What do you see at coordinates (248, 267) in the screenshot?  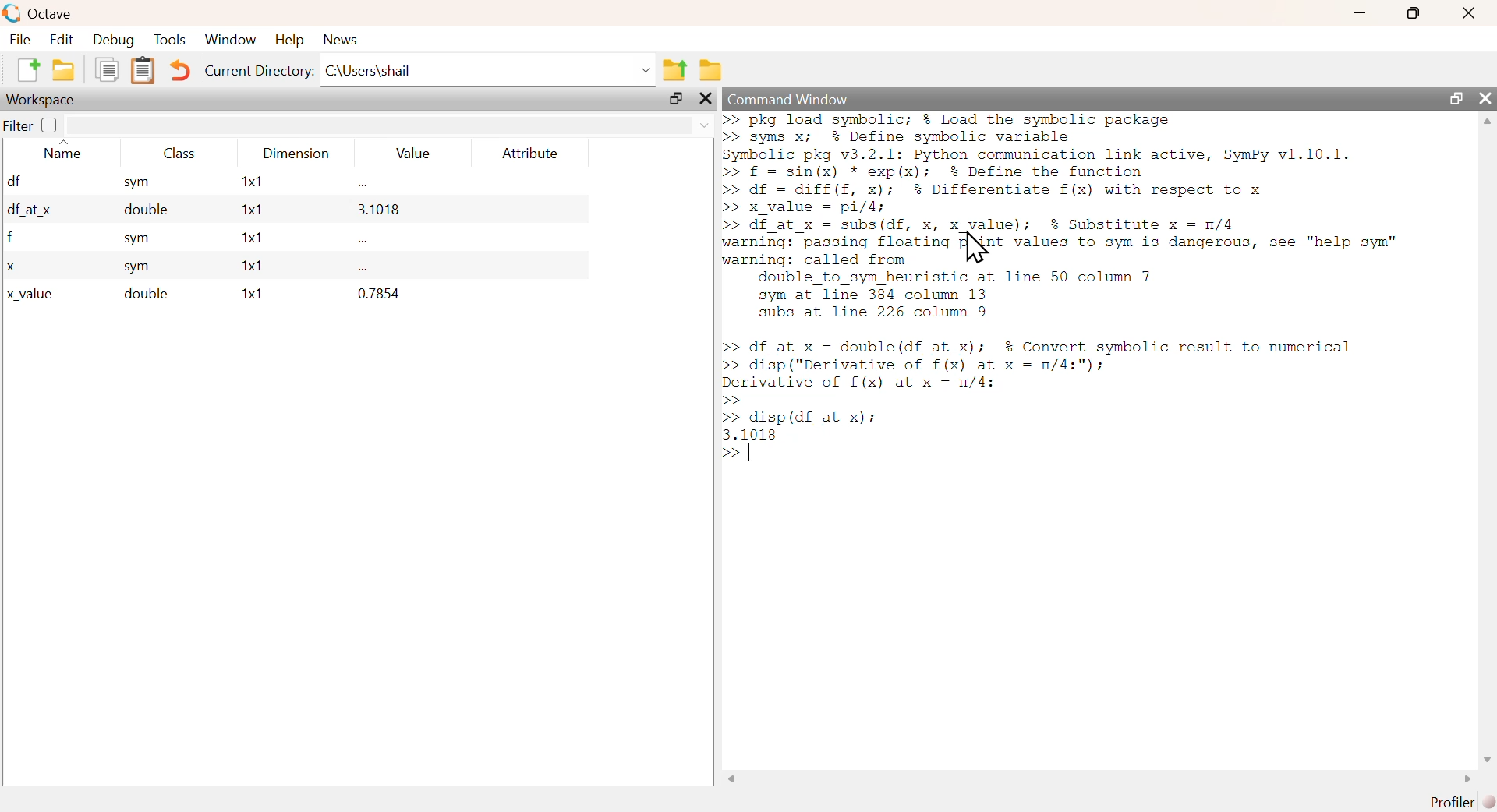 I see `1x1` at bounding box center [248, 267].